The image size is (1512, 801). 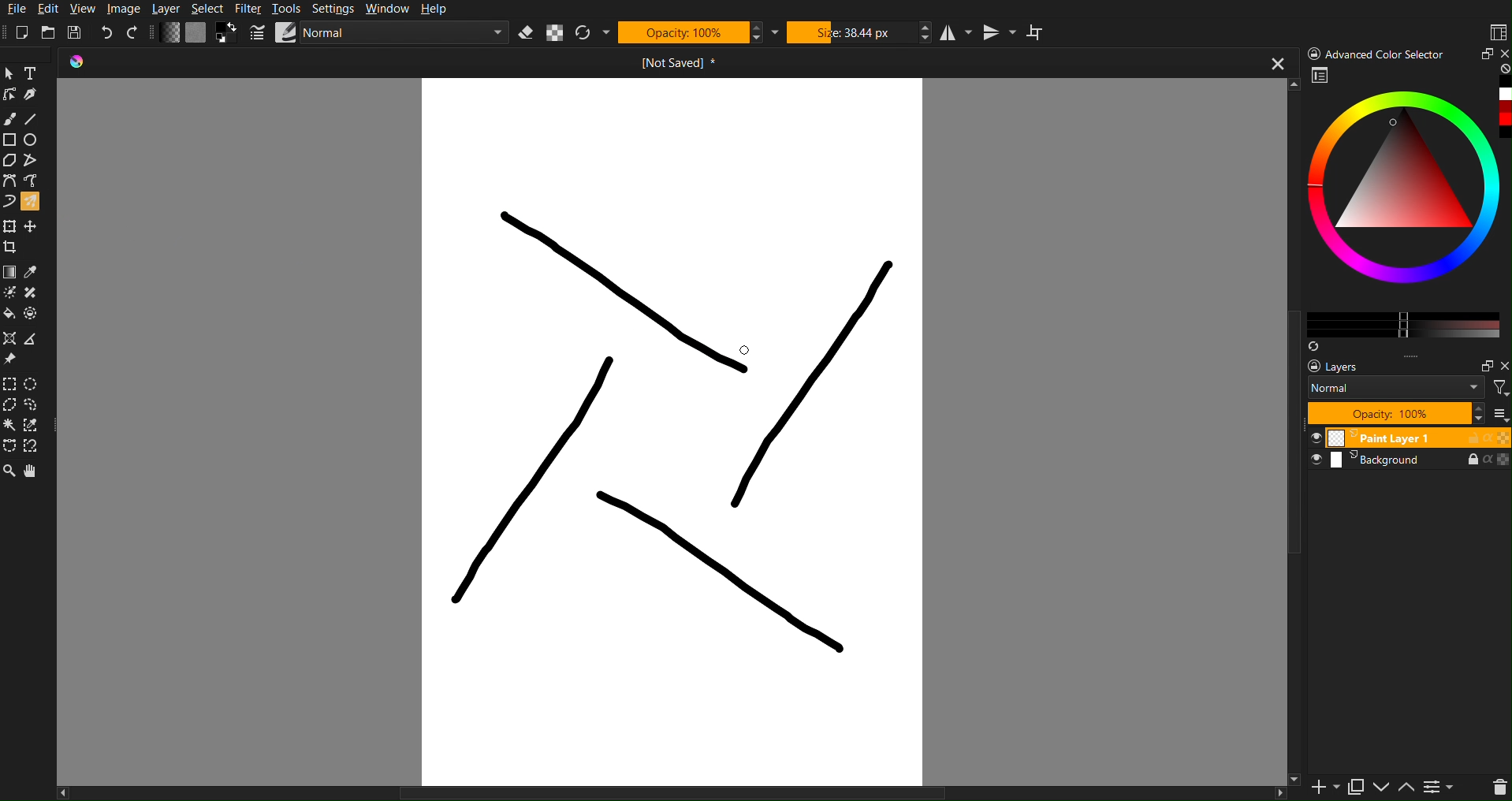 I want to click on Pointer, so click(x=10, y=72).